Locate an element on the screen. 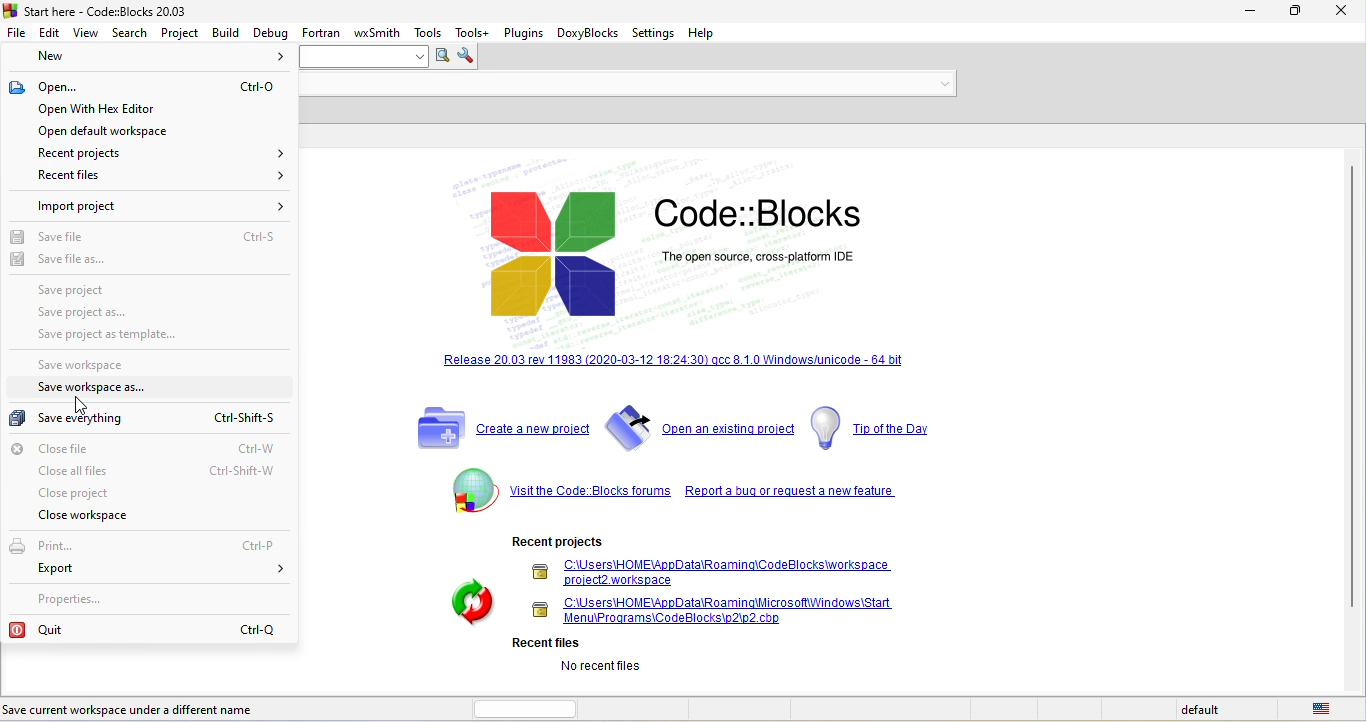  close workspace is located at coordinates (97, 517).